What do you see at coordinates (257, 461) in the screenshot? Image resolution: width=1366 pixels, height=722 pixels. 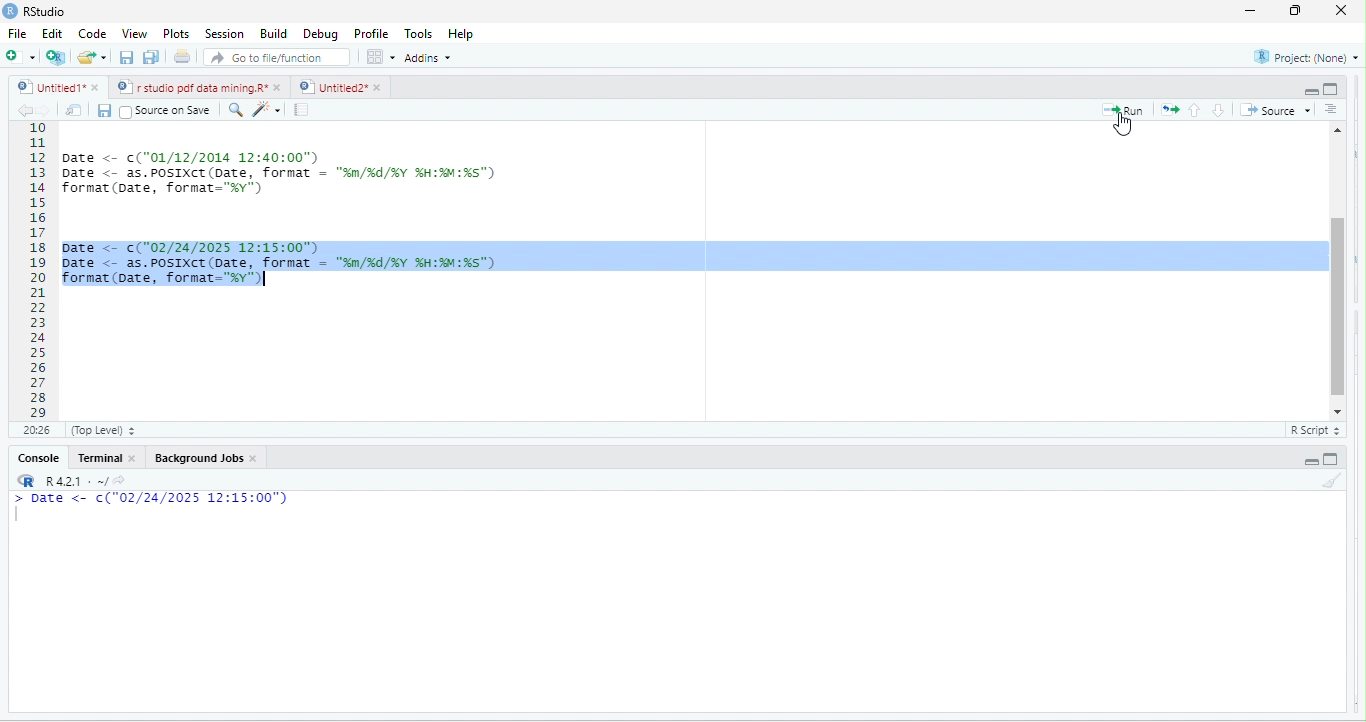 I see `close` at bounding box center [257, 461].